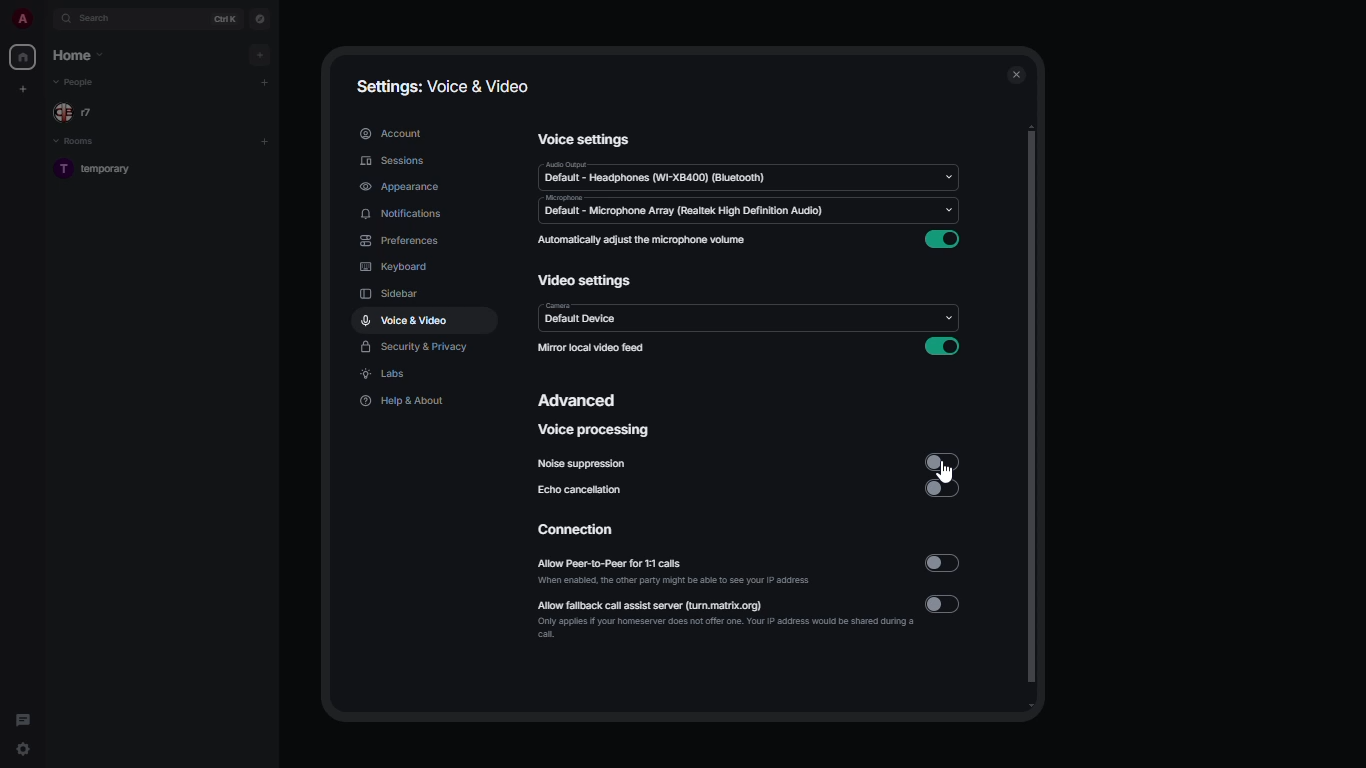  I want to click on mirror local video feed, so click(593, 347).